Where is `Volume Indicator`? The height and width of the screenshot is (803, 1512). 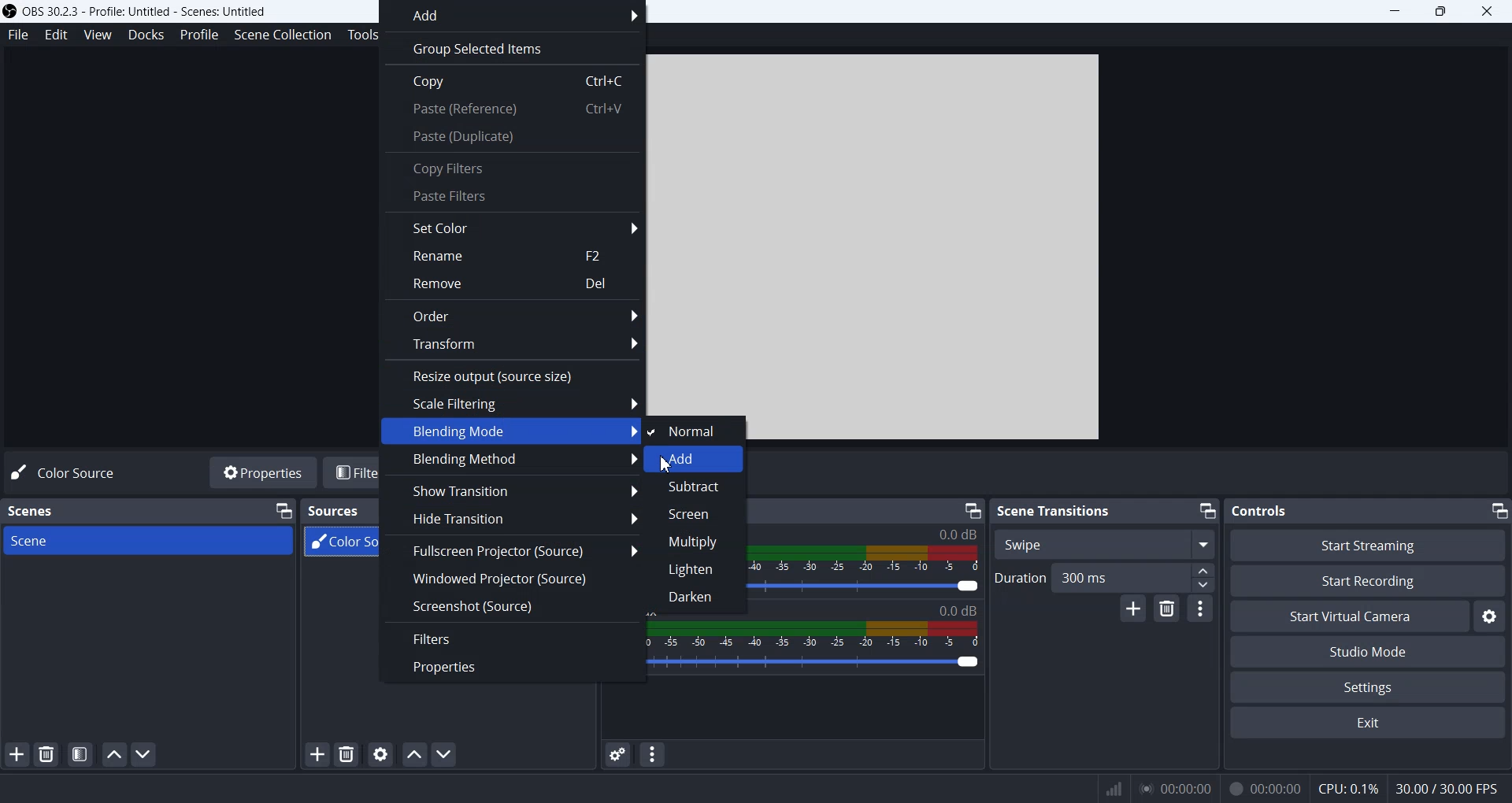 Volume Indicator is located at coordinates (820, 634).